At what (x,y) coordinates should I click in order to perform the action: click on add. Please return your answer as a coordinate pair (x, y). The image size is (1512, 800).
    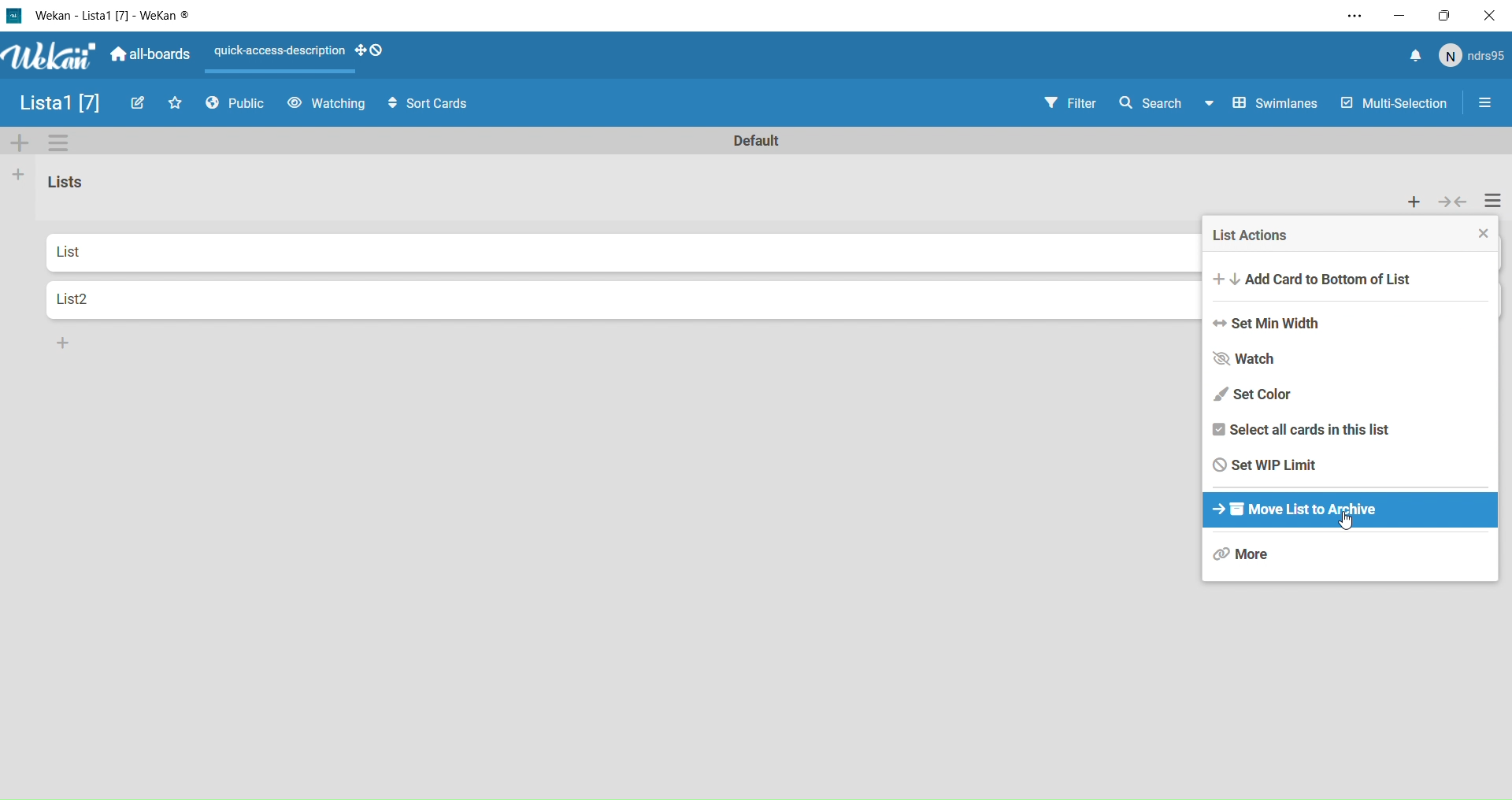
    Looking at the image, I should click on (1413, 201).